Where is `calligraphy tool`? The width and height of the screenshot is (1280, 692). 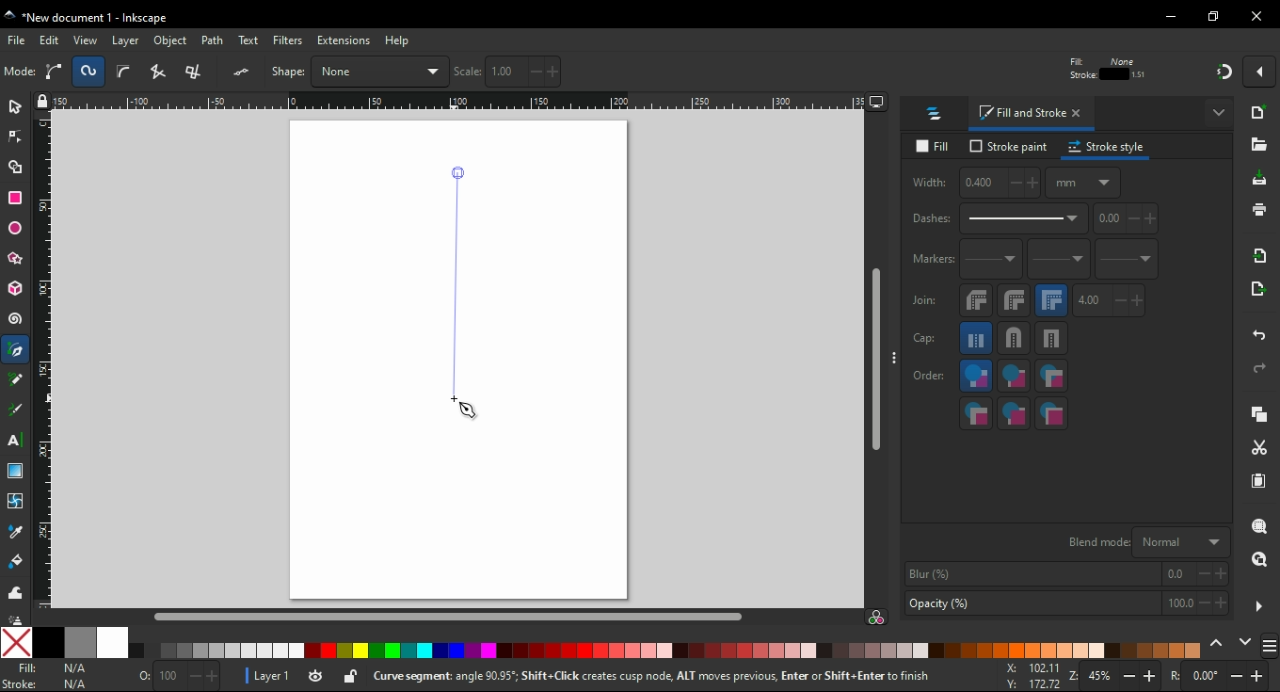
calligraphy tool is located at coordinates (16, 410).